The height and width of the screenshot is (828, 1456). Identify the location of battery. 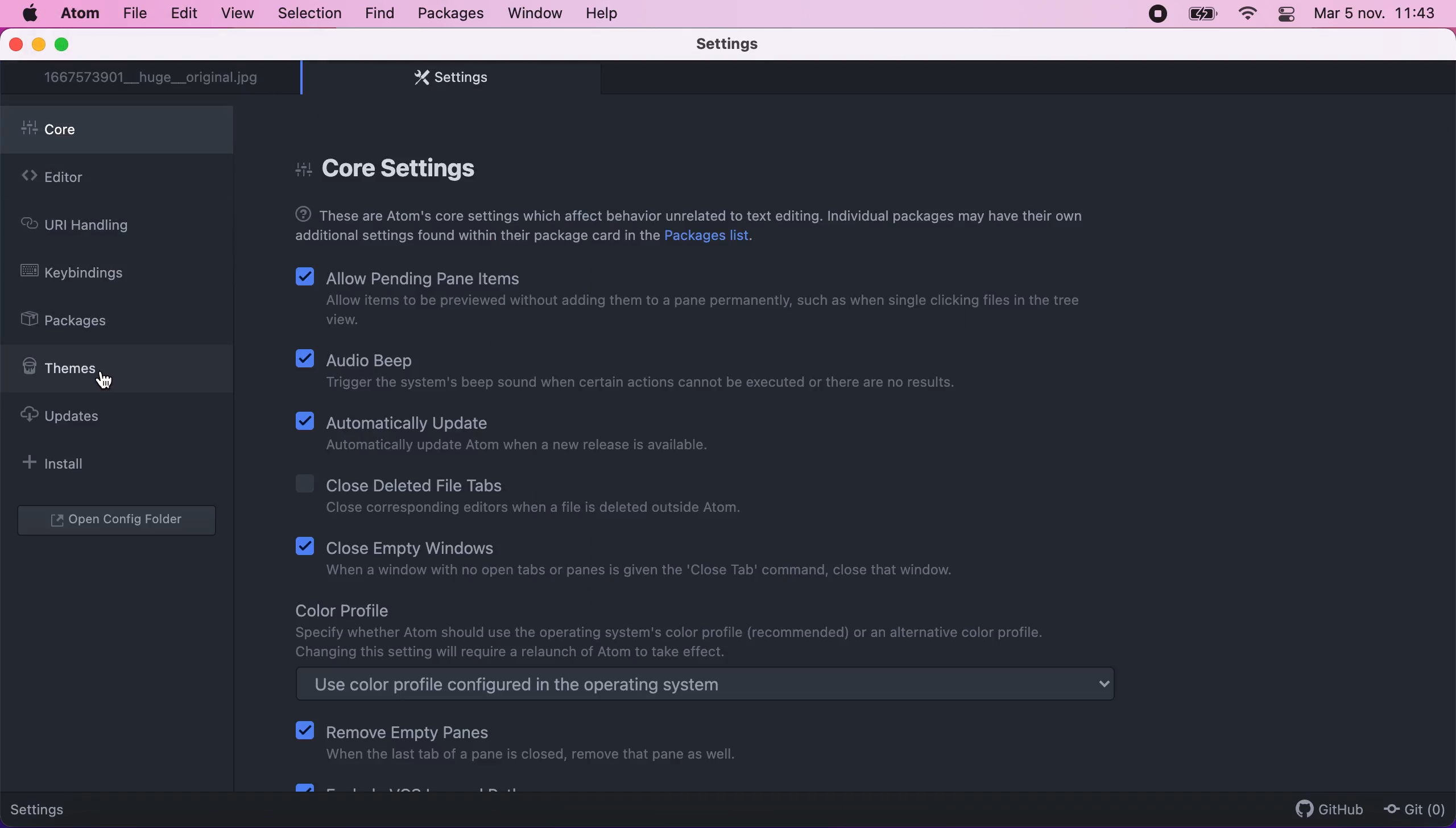
(1201, 16).